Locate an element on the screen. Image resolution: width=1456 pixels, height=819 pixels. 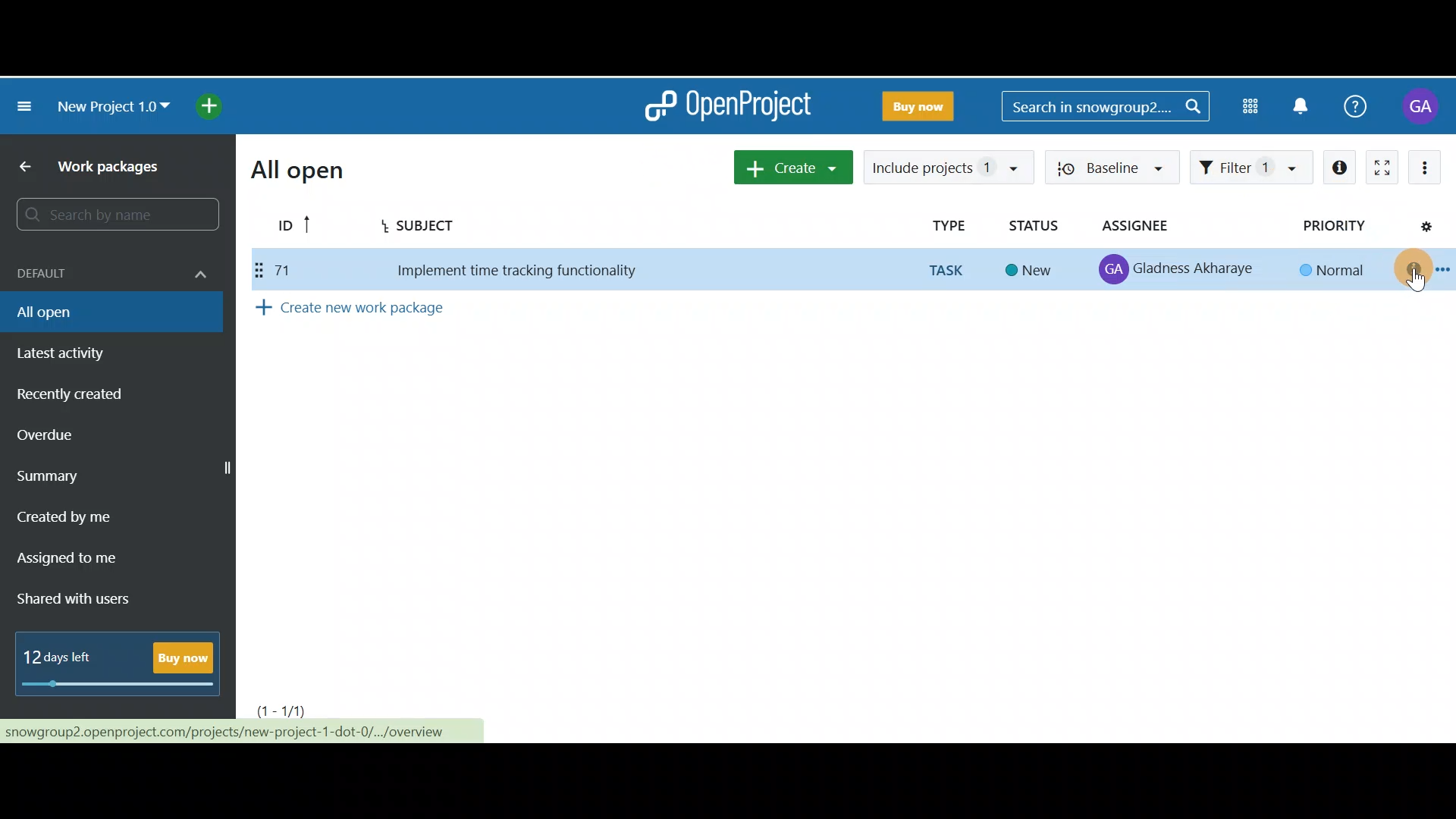
Search bar is located at coordinates (113, 215).